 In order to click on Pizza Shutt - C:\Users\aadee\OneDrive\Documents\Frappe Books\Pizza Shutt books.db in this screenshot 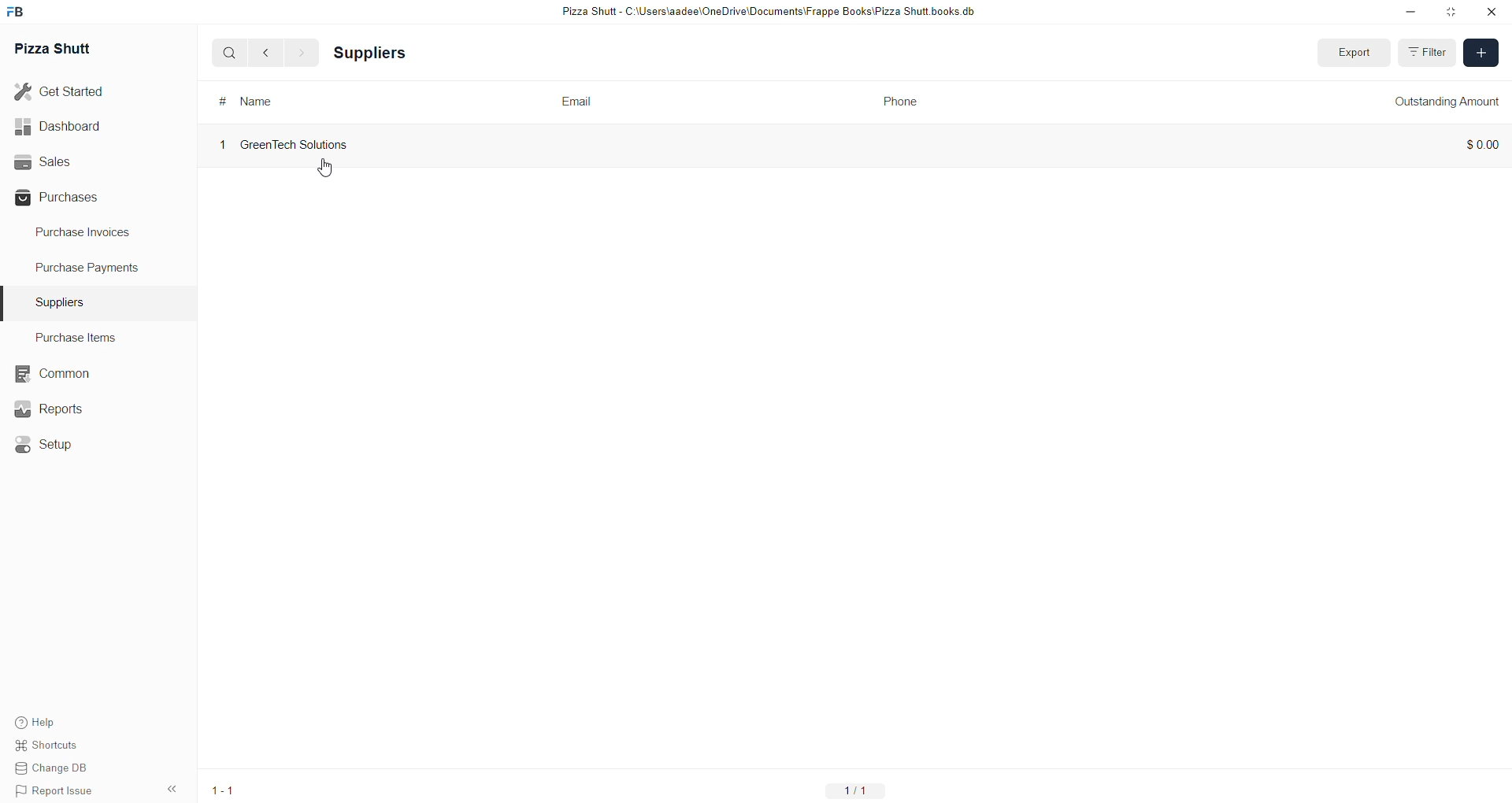, I will do `click(766, 13)`.